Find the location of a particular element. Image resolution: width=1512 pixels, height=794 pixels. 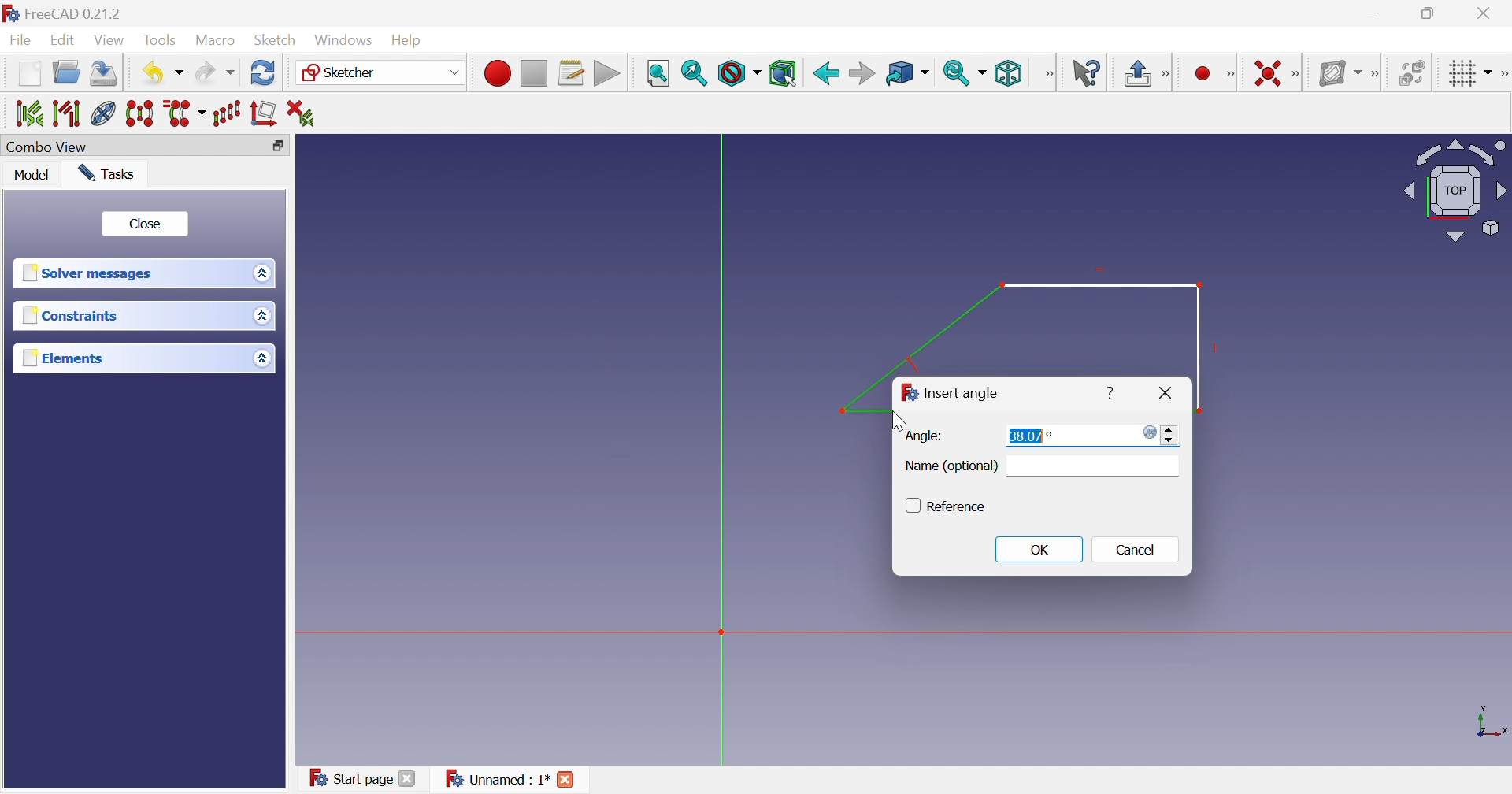

Close is located at coordinates (145, 222).